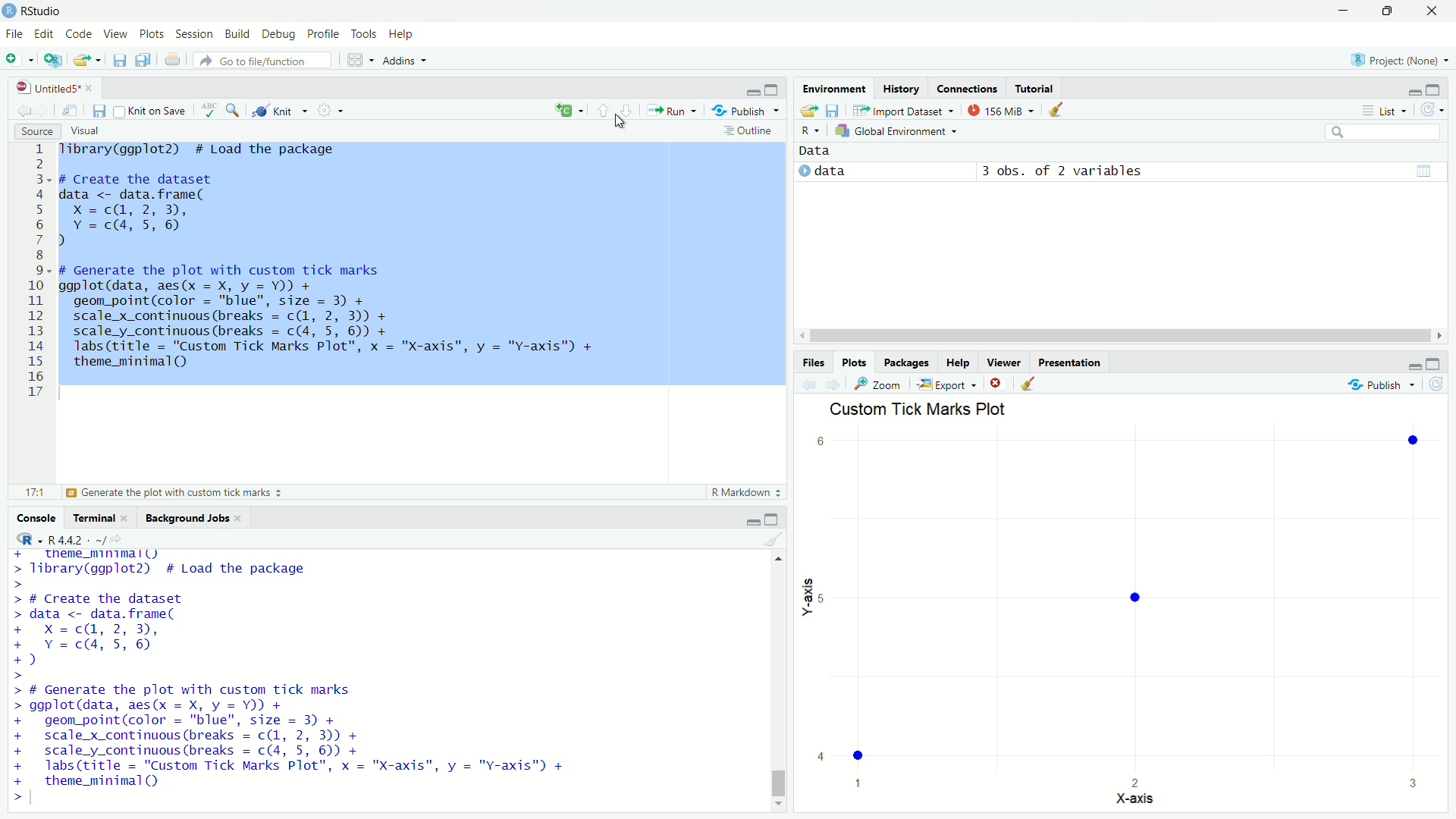  I want to click on help, so click(404, 33).